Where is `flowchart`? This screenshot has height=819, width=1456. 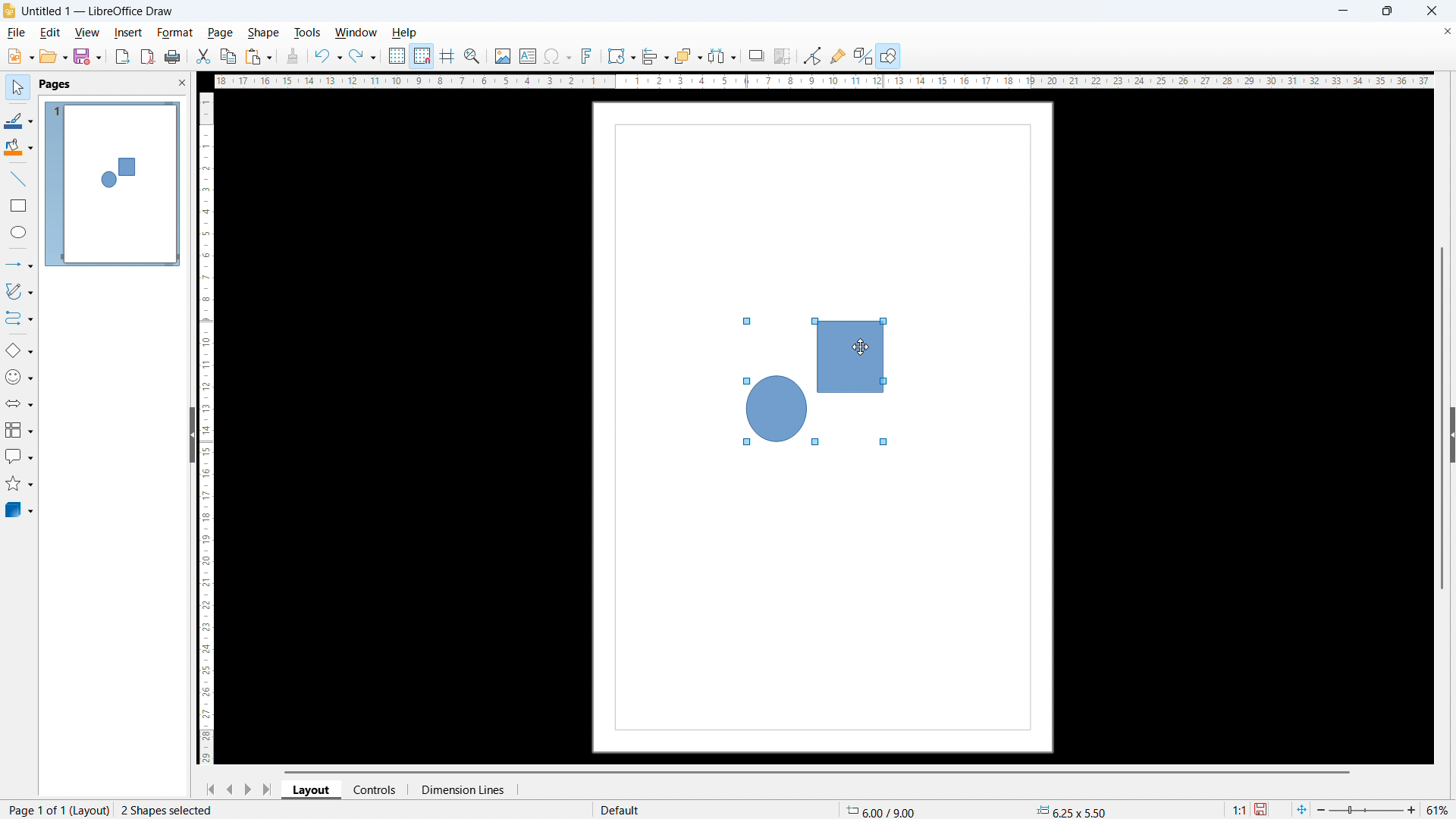
flowchart is located at coordinates (17, 431).